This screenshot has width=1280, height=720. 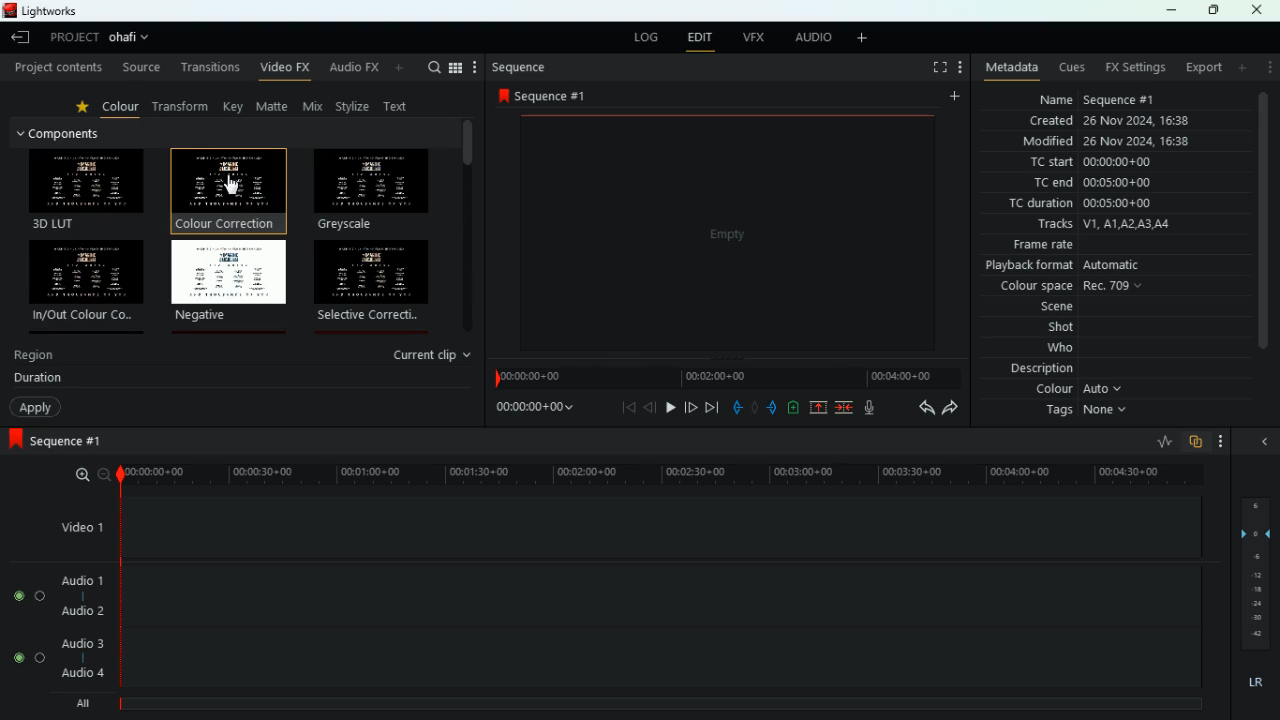 What do you see at coordinates (68, 133) in the screenshot?
I see `components` at bounding box center [68, 133].